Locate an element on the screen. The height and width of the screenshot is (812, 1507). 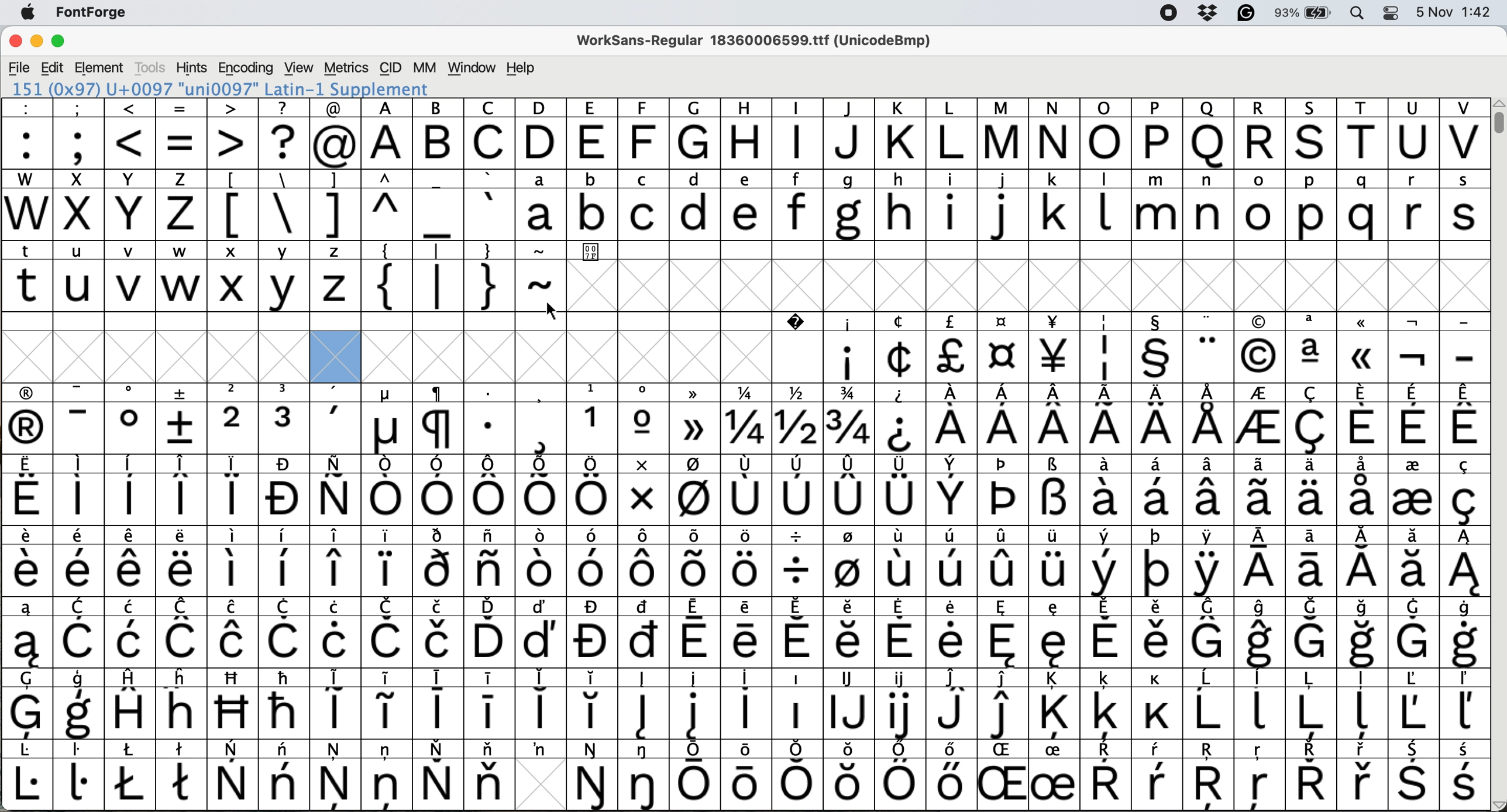
symbol is located at coordinates (800, 774).